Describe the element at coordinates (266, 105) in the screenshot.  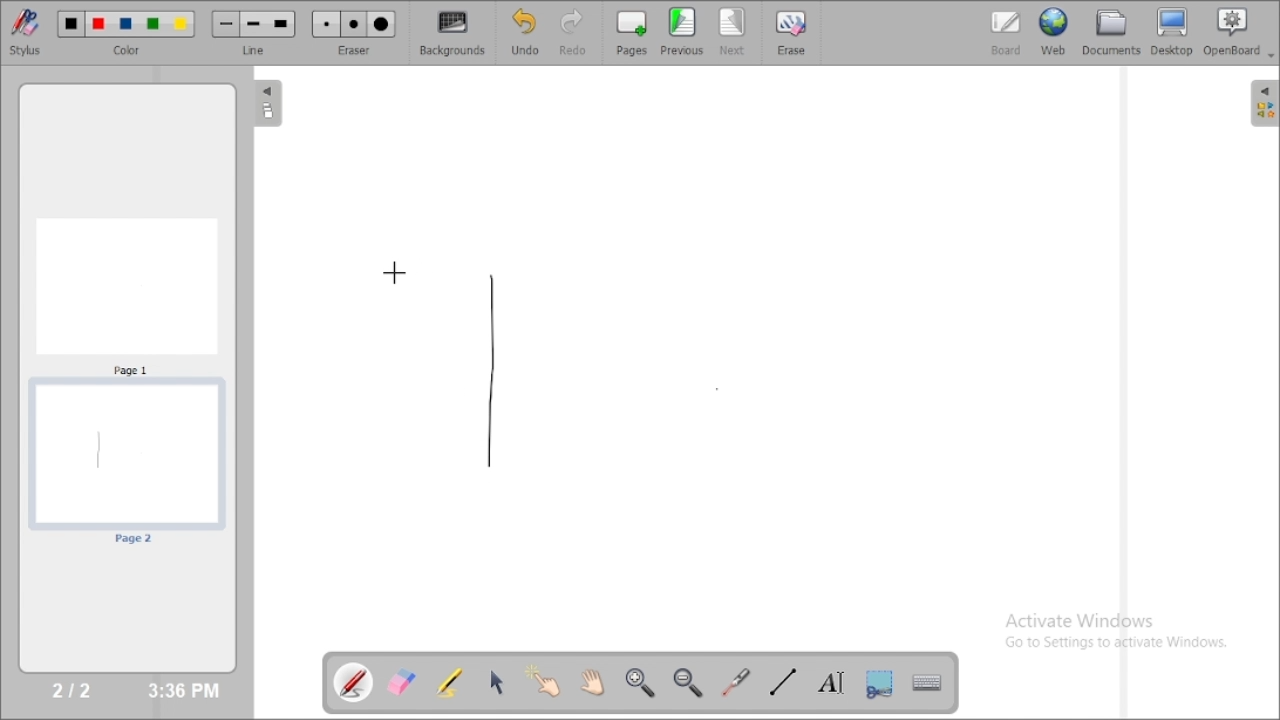
I see `The flatplan (left panel)` at that location.